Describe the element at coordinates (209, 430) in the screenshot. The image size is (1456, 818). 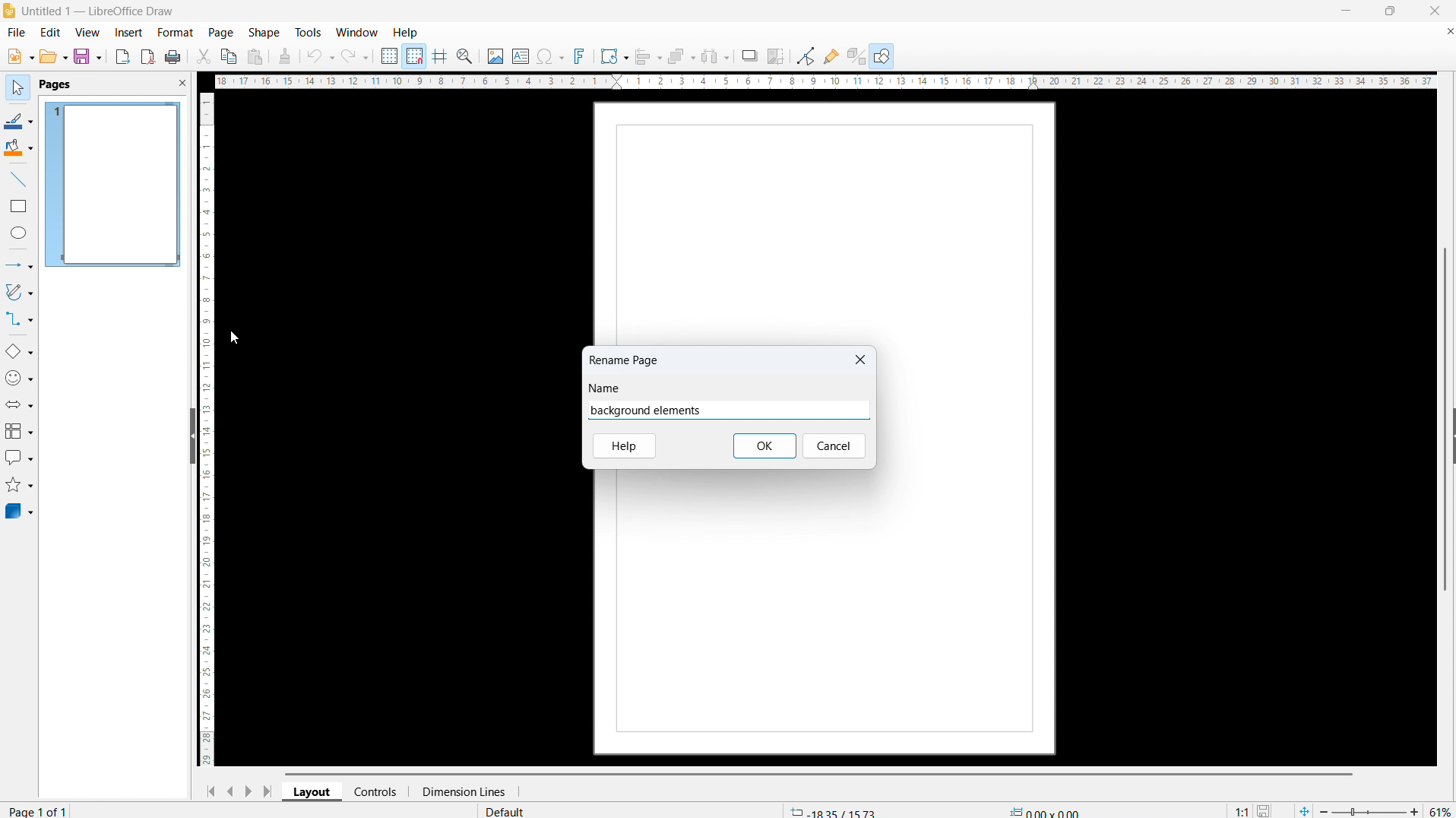
I see `vertical ruler` at that location.